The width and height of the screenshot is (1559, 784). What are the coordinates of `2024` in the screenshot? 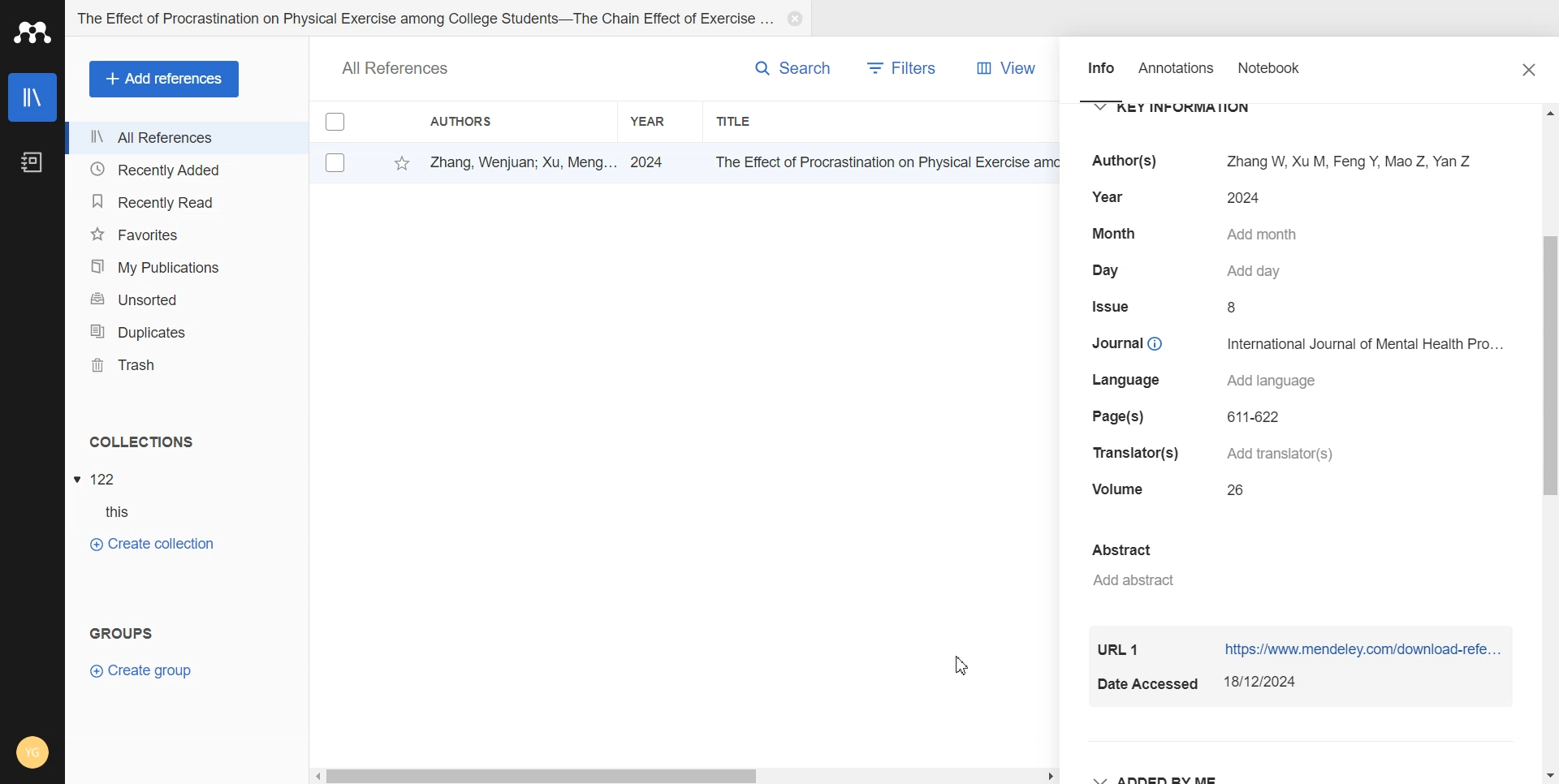 It's located at (653, 161).